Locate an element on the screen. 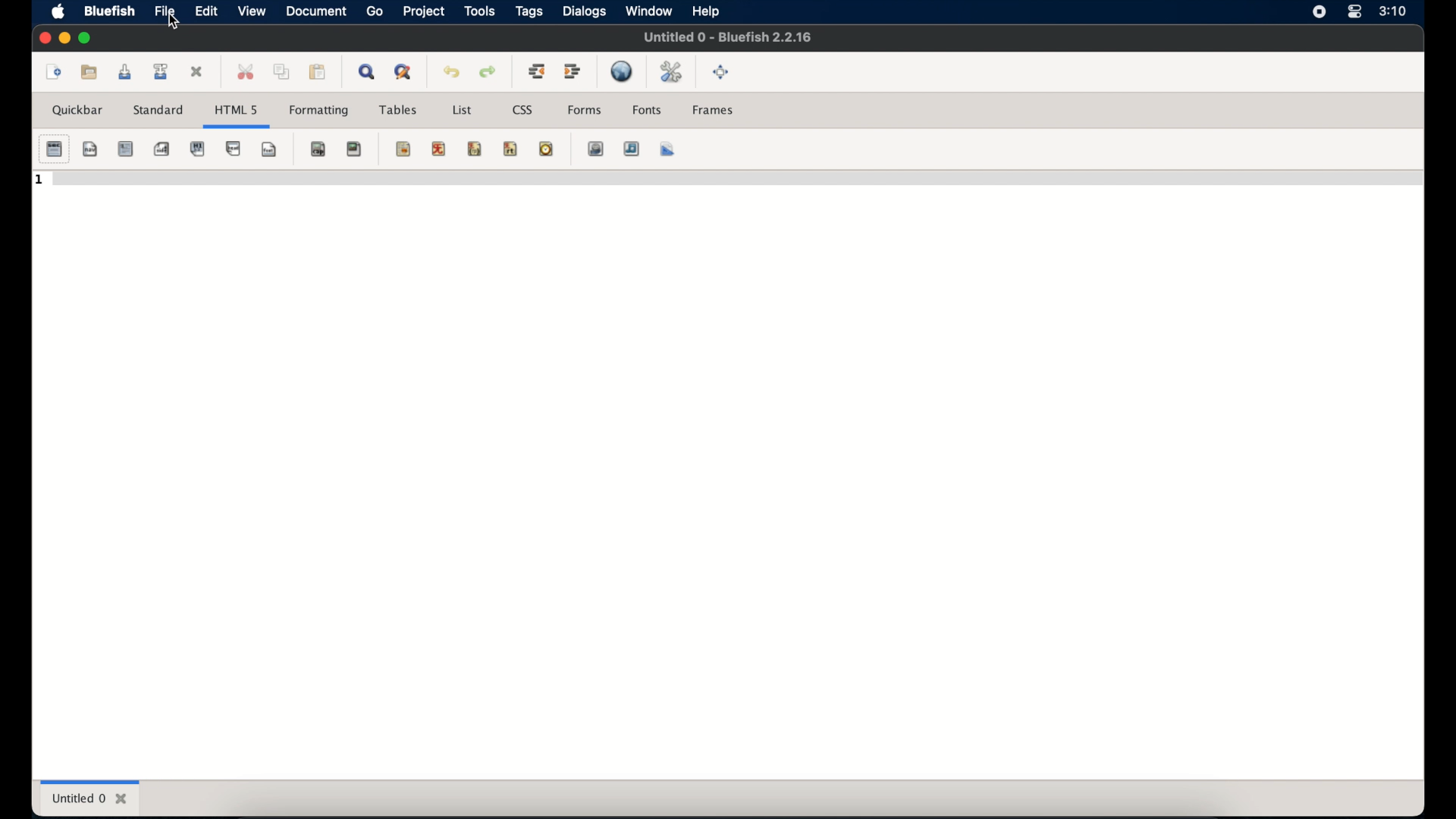 The height and width of the screenshot is (819, 1456). ruby parenthesis is located at coordinates (475, 149).